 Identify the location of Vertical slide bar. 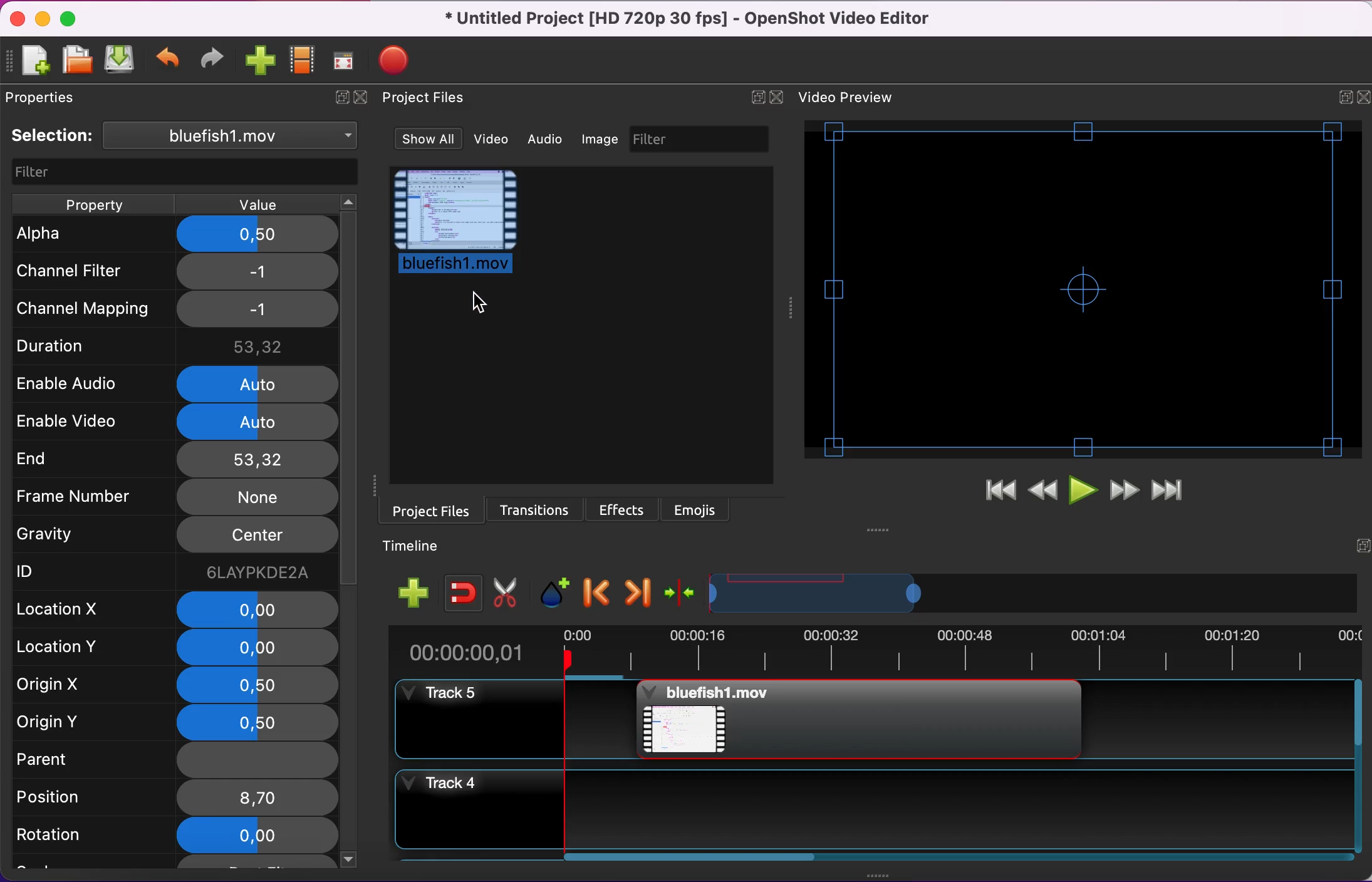
(1358, 765).